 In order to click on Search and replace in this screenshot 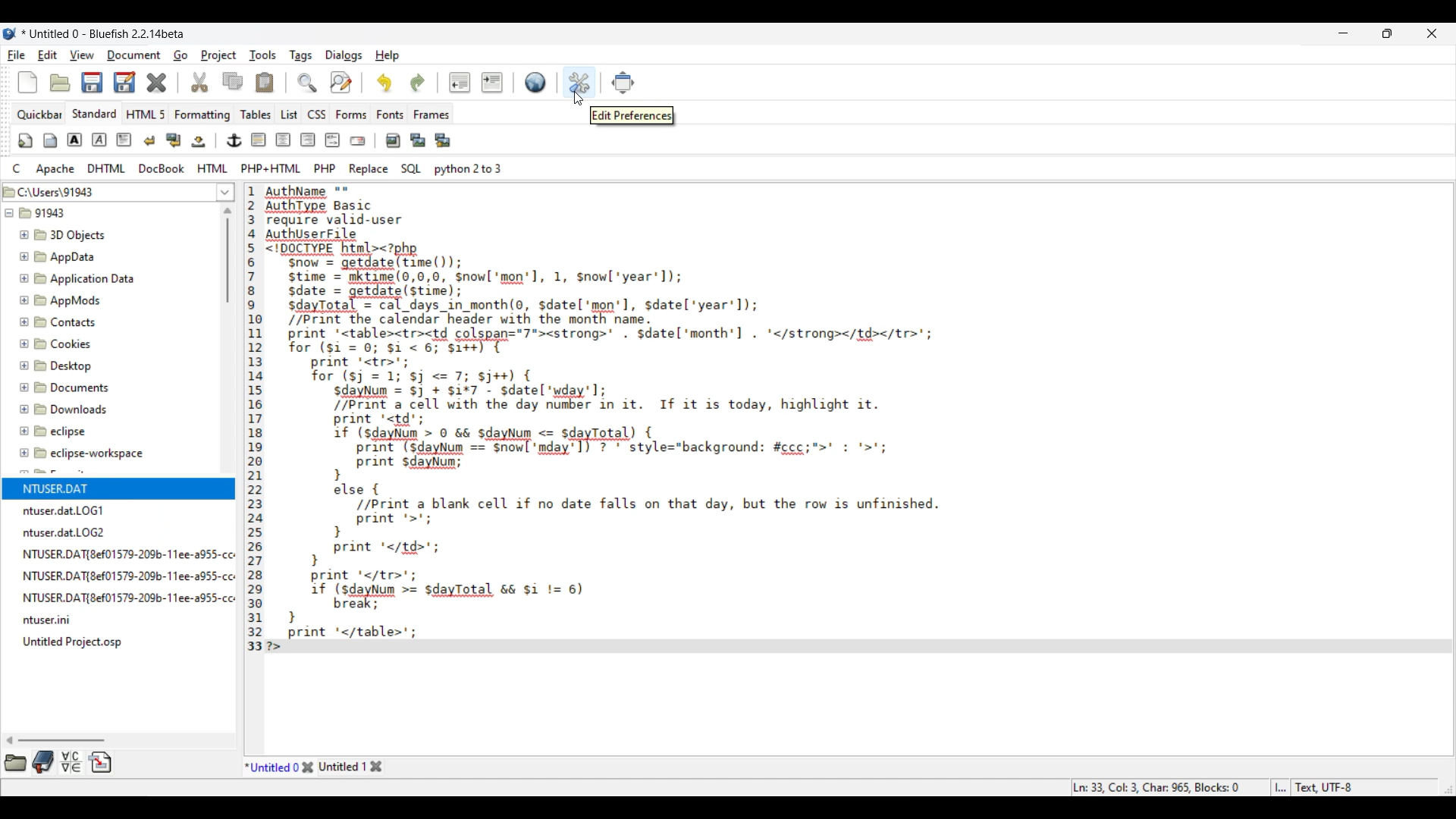, I will do `click(325, 82)`.